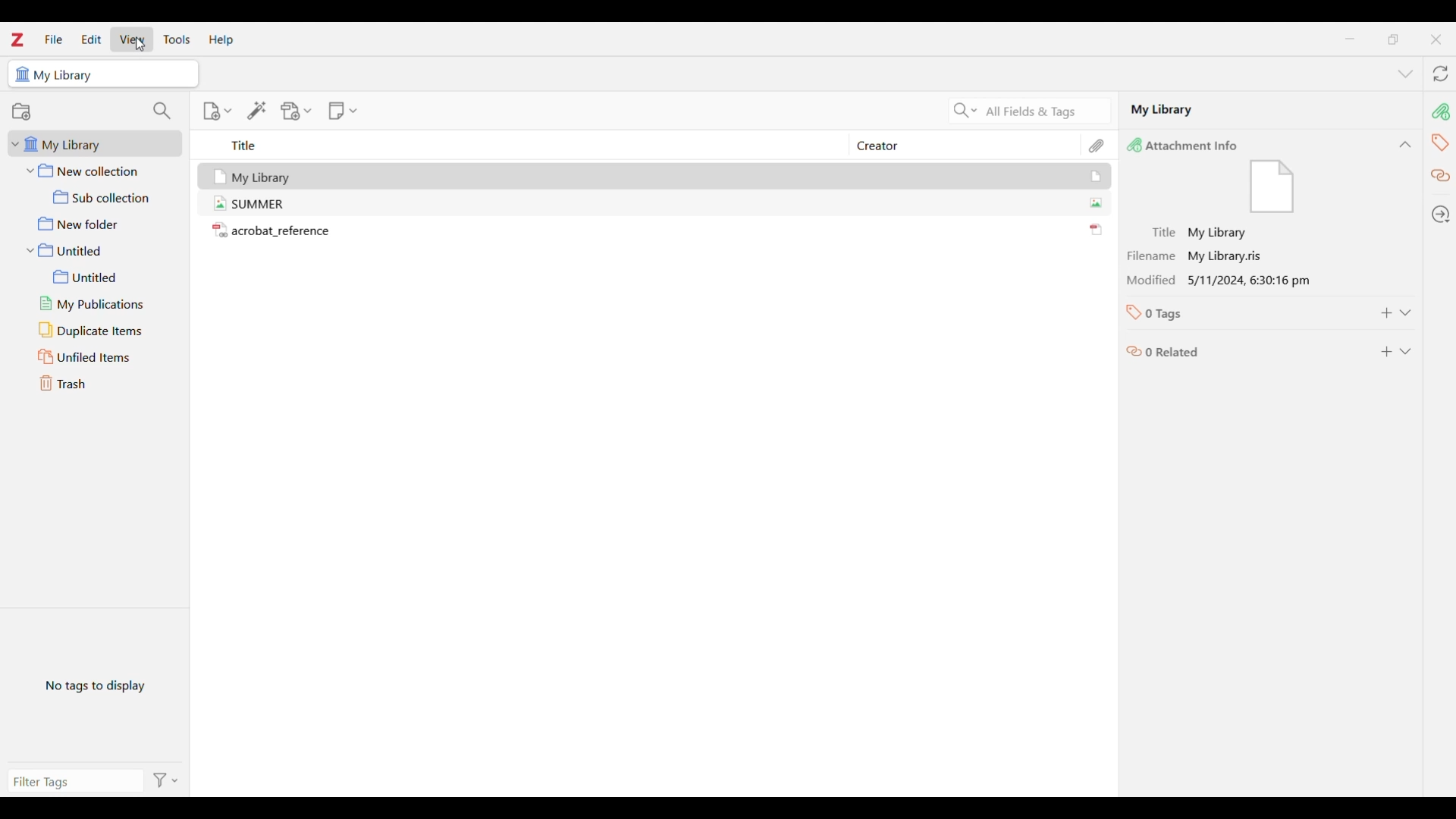  I want to click on Selected file, so click(1270, 109).